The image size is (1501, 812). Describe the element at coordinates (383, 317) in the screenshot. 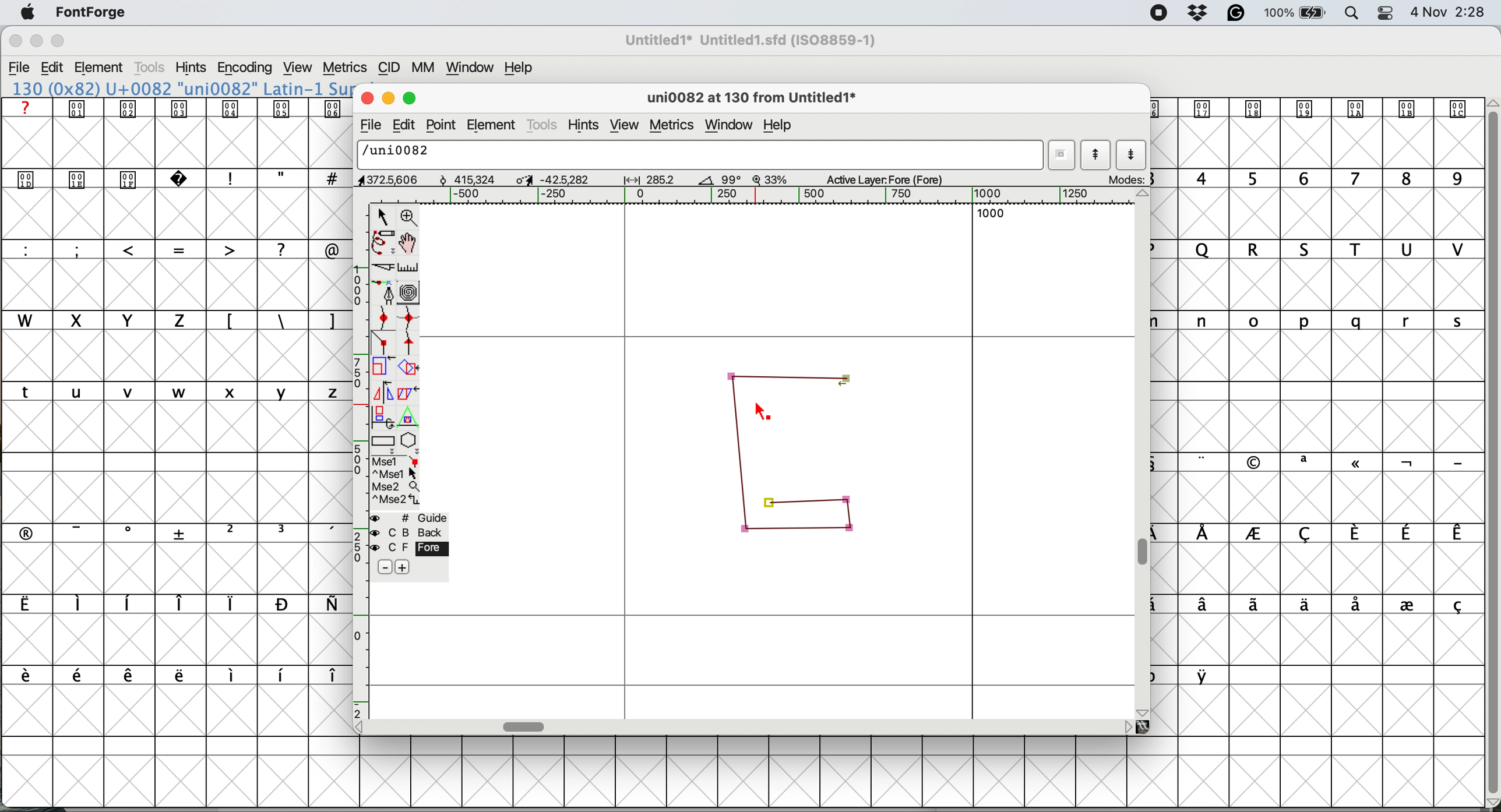

I see `add a curve point` at that location.